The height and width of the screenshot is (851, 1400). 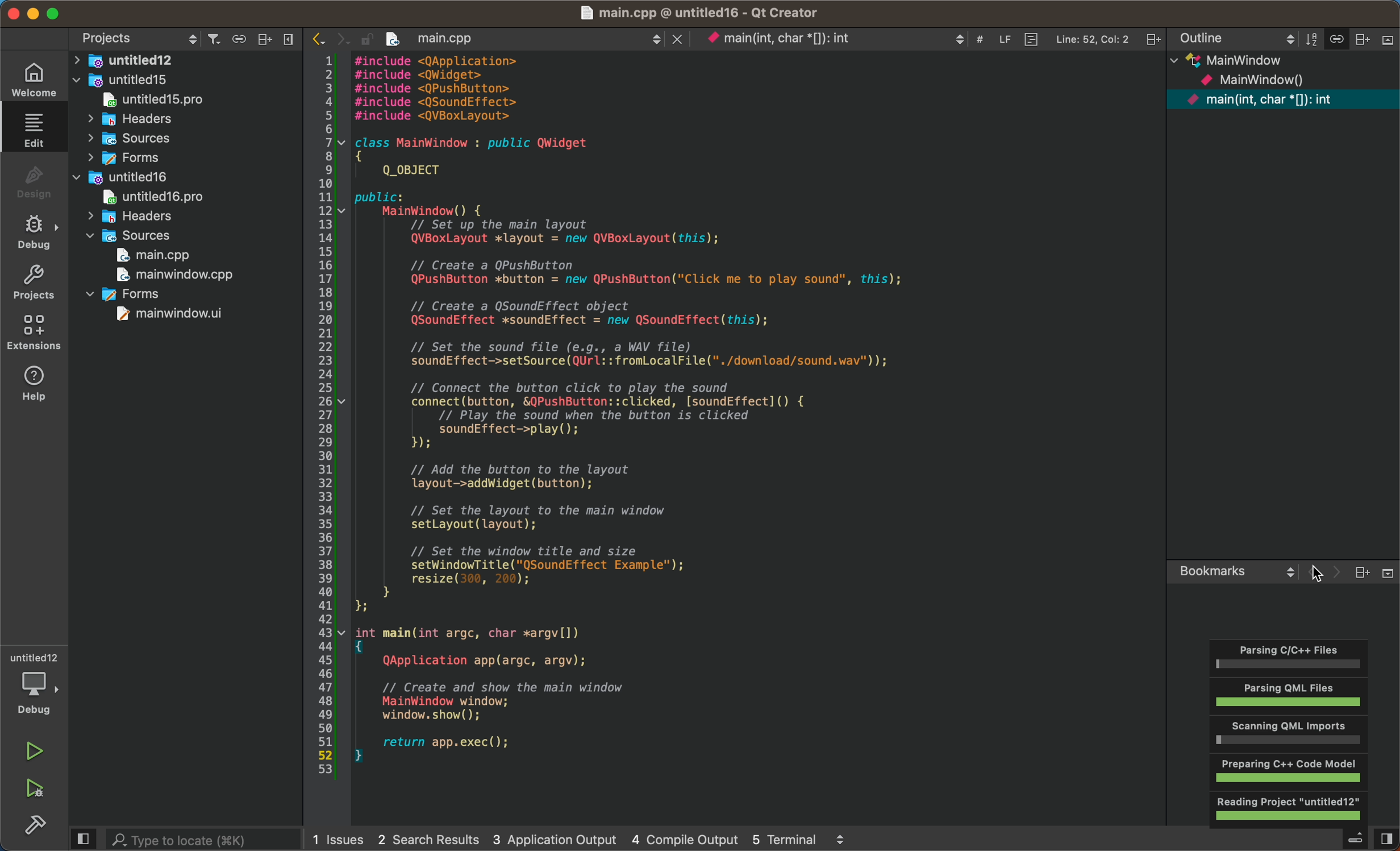 What do you see at coordinates (32, 82) in the screenshot?
I see `welocme` at bounding box center [32, 82].